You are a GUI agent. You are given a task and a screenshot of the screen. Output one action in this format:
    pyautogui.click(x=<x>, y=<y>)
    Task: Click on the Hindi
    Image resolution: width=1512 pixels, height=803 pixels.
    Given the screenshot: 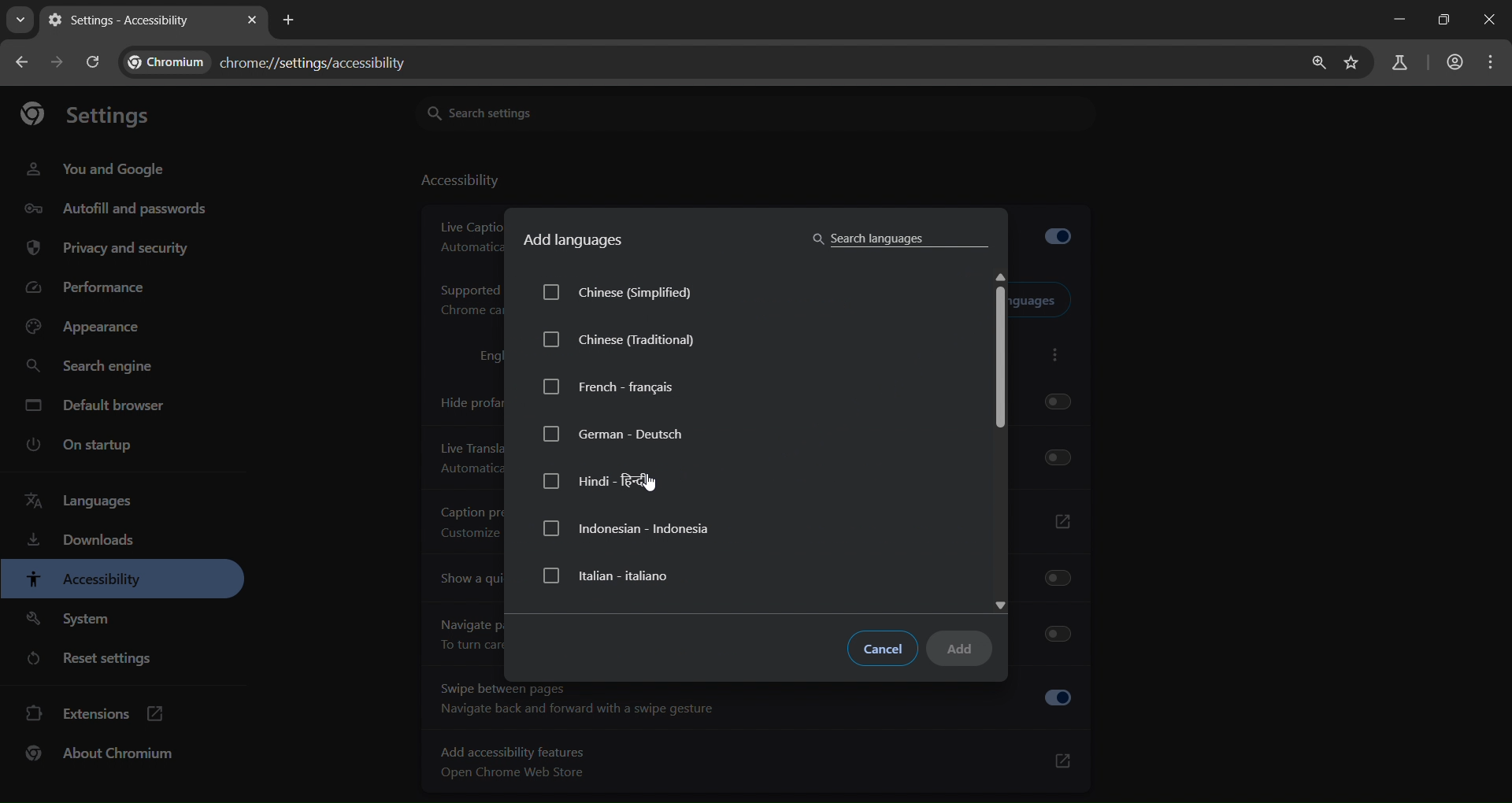 What is the action you would take?
    pyautogui.click(x=603, y=480)
    